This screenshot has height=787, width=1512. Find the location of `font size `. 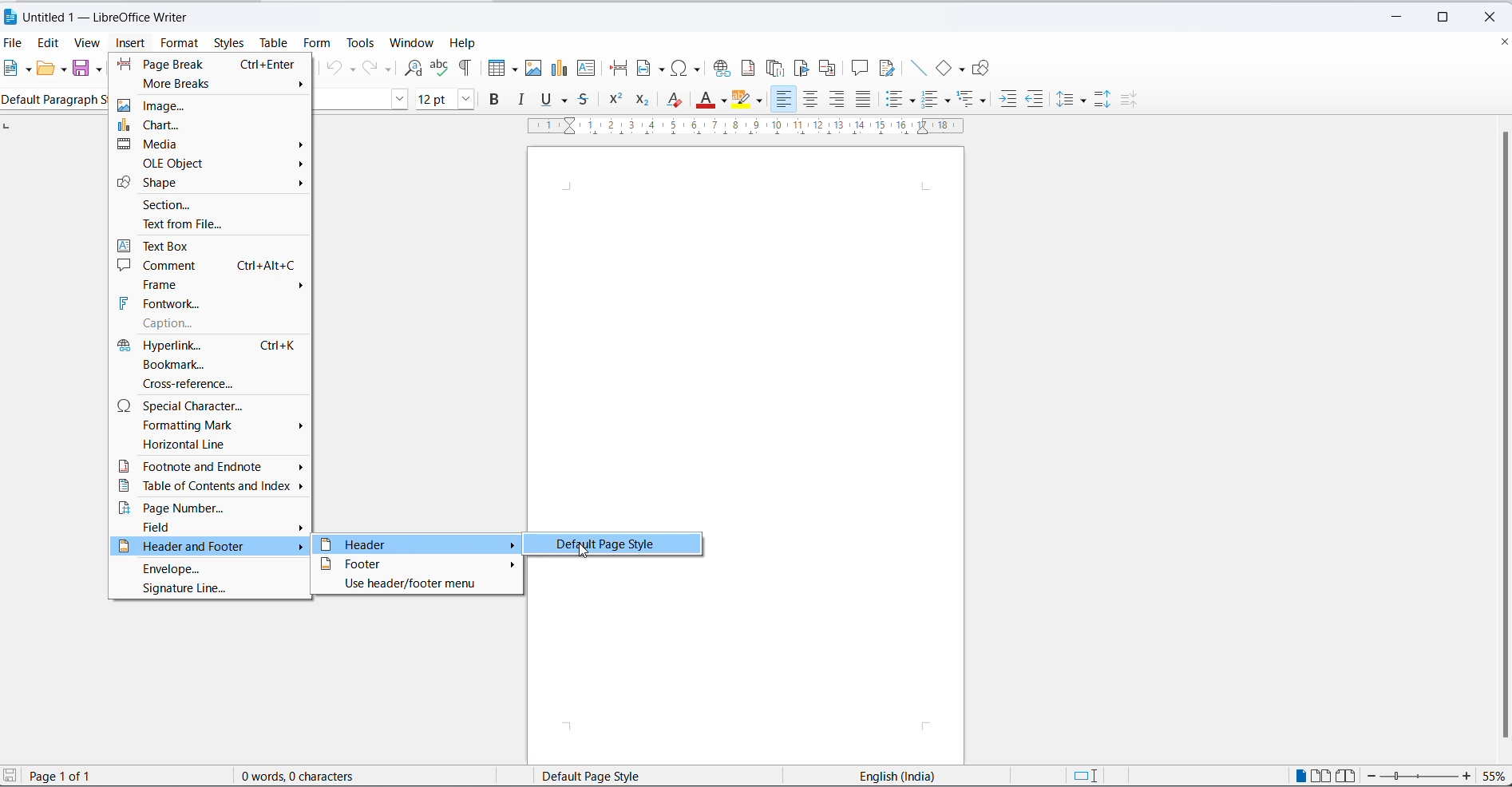

font size  is located at coordinates (433, 100).